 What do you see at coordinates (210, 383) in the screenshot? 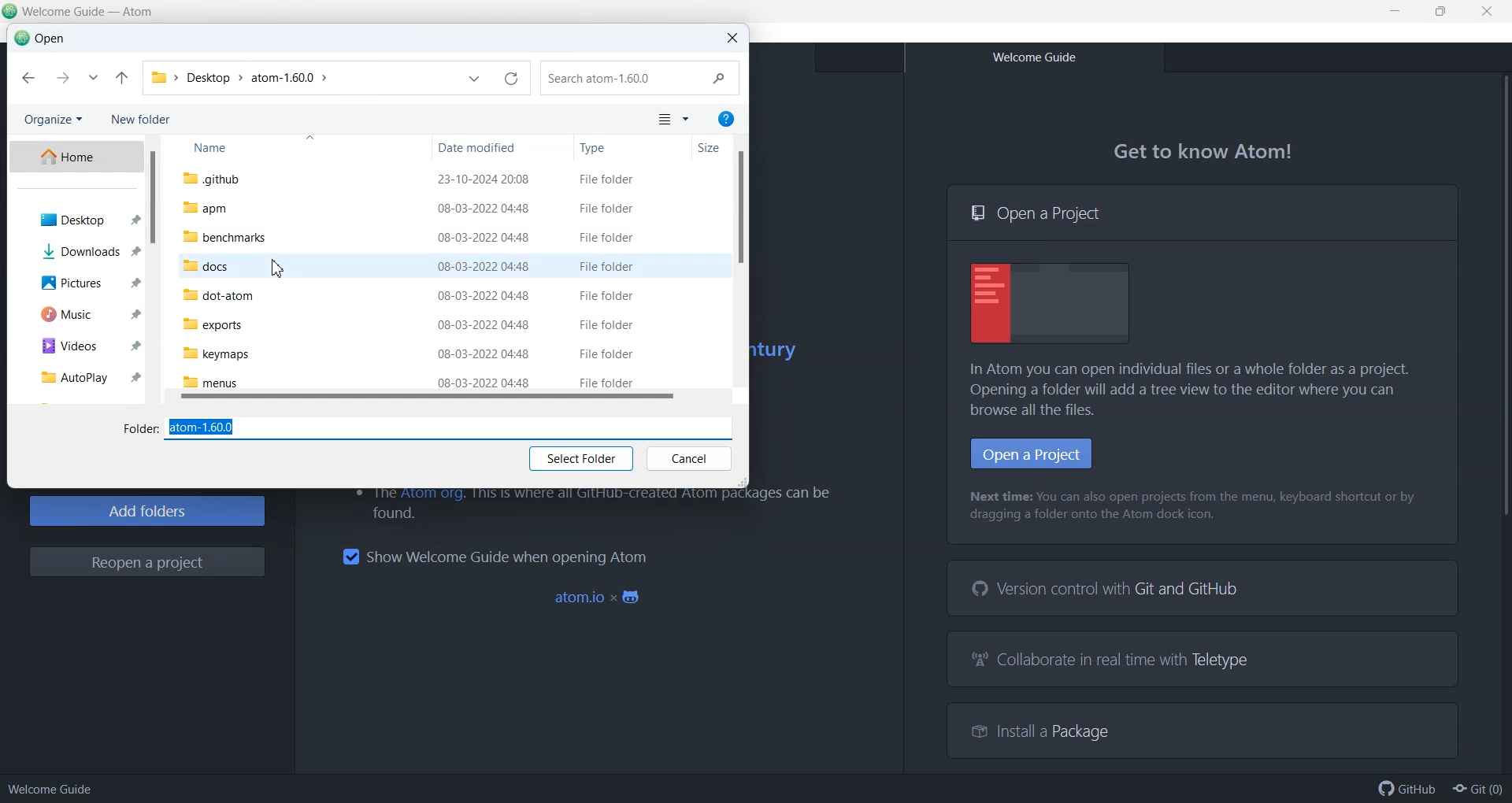
I see `menus` at bounding box center [210, 383].